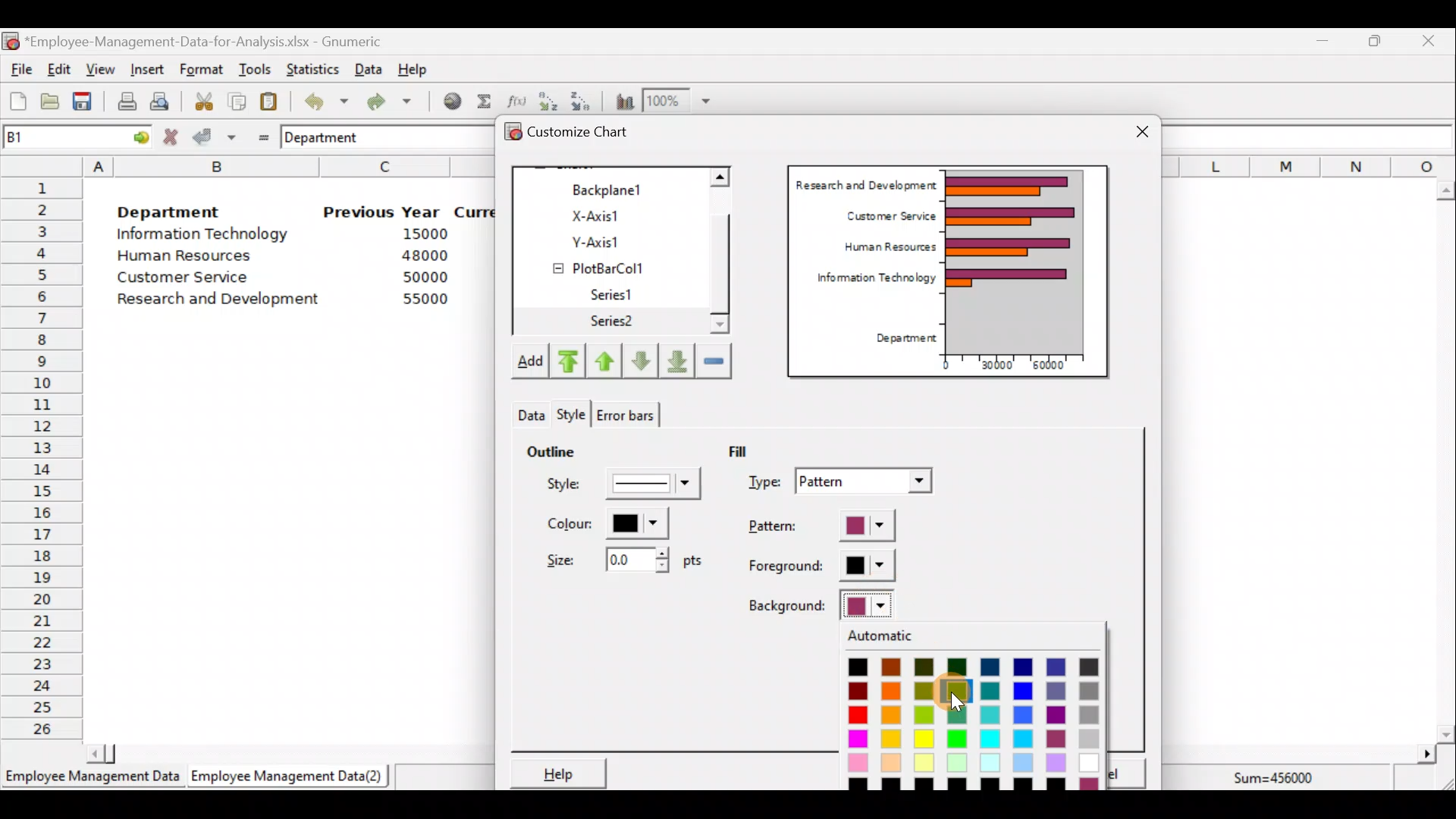 The height and width of the screenshot is (819, 1456). Describe the element at coordinates (1445, 462) in the screenshot. I see `Scroll bar` at that location.